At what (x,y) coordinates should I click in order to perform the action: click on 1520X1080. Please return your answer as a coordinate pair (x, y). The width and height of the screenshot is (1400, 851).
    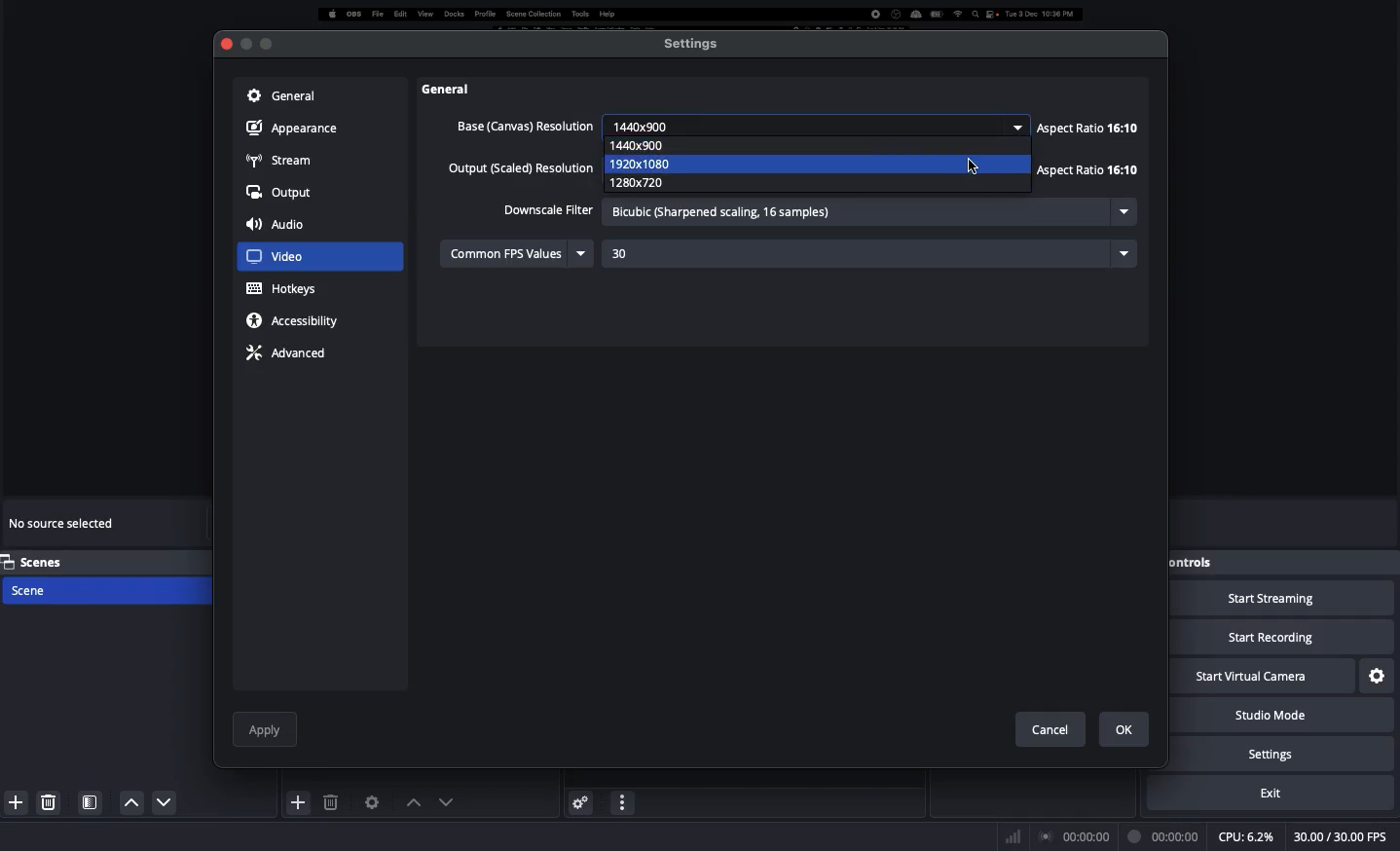
    Looking at the image, I should click on (656, 163).